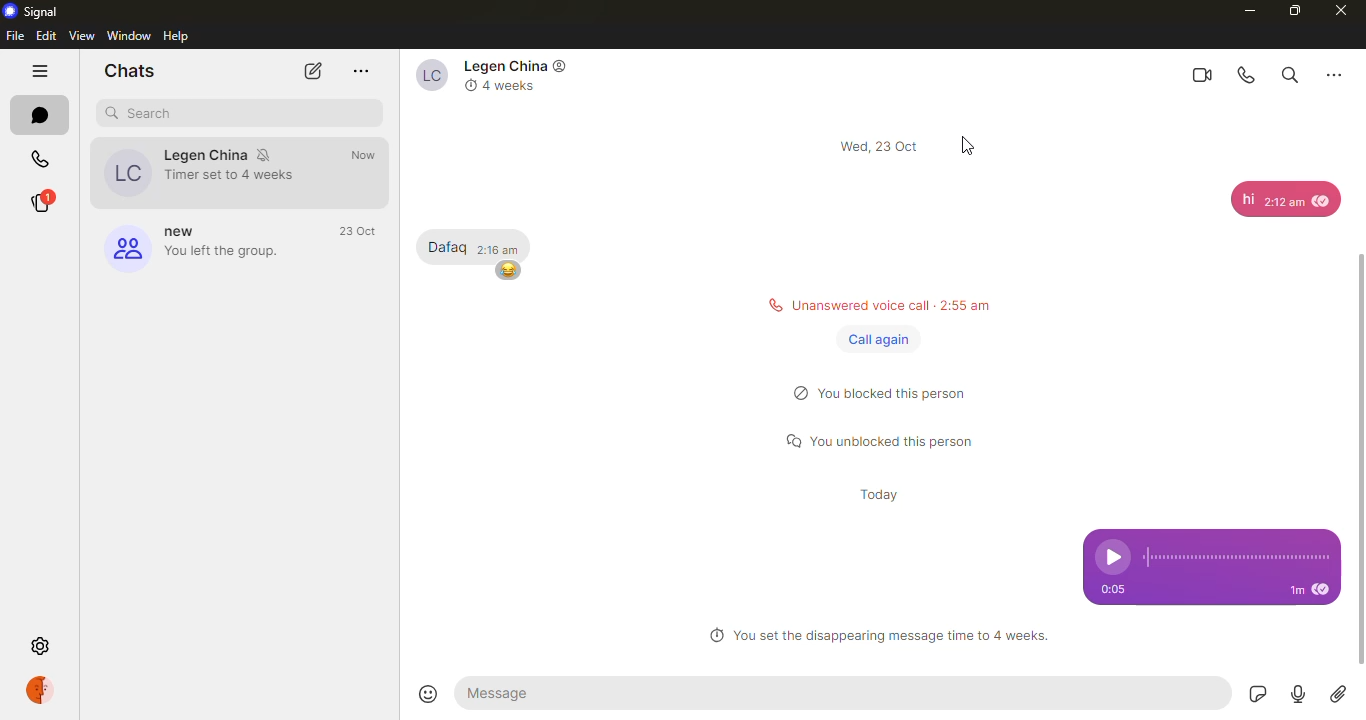 This screenshot has height=720, width=1366. Describe the element at coordinates (875, 337) in the screenshot. I see `call again` at that location.